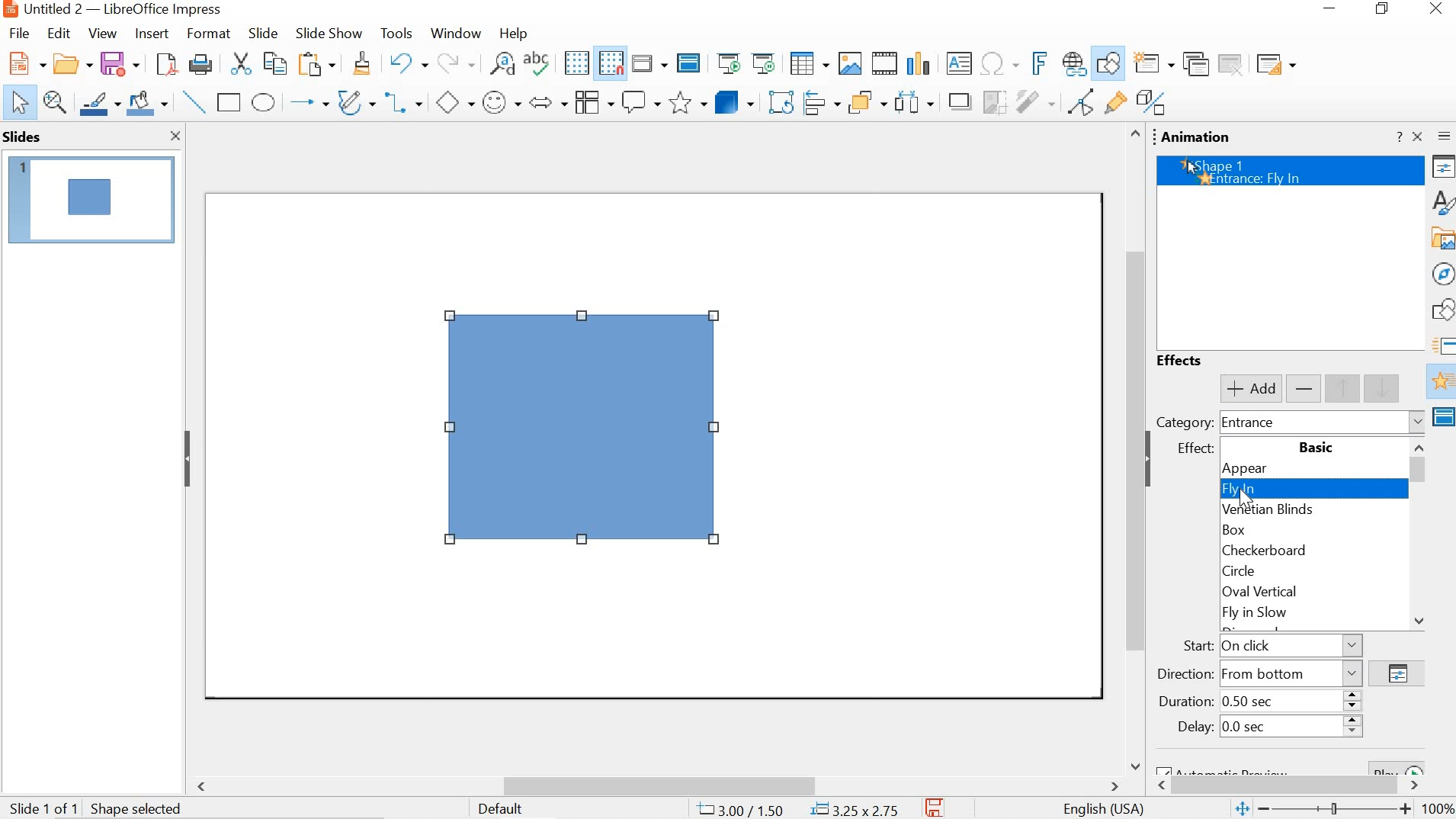 Image resolution: width=1456 pixels, height=819 pixels. I want to click on slides, so click(24, 137).